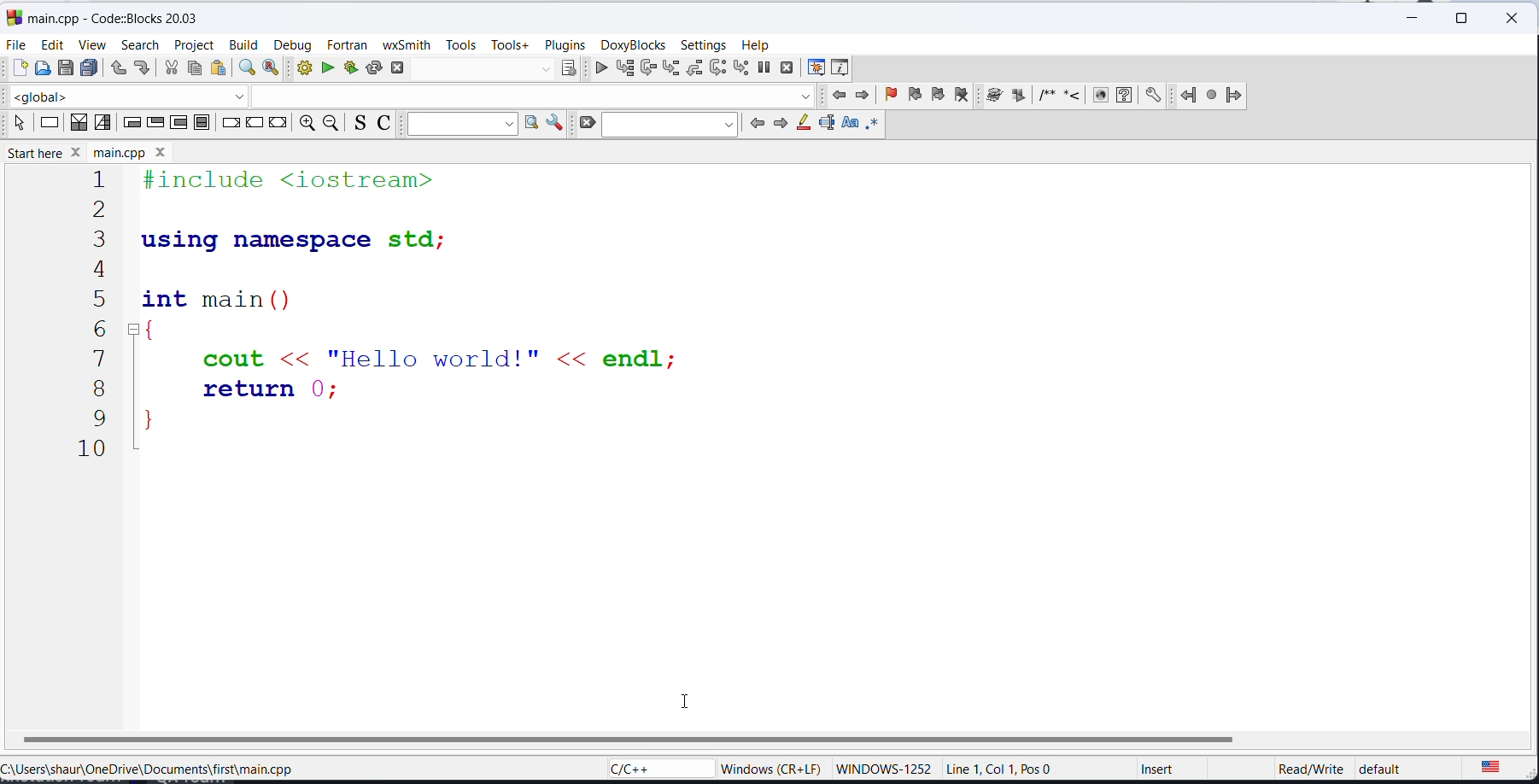  I want to click on close, so click(1408, 19).